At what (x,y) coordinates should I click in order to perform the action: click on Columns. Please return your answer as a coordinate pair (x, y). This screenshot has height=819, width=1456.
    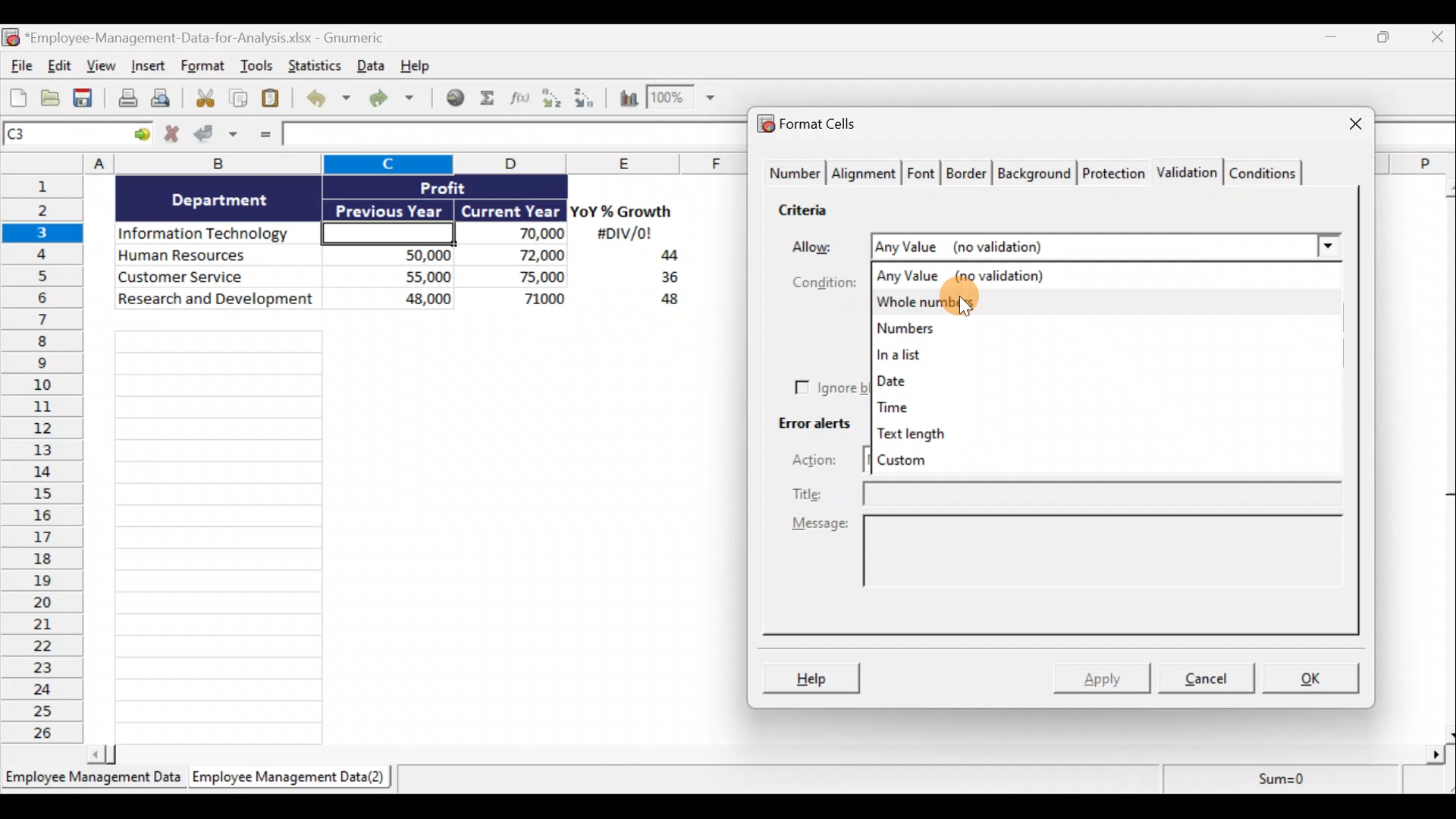
    Looking at the image, I should click on (380, 163).